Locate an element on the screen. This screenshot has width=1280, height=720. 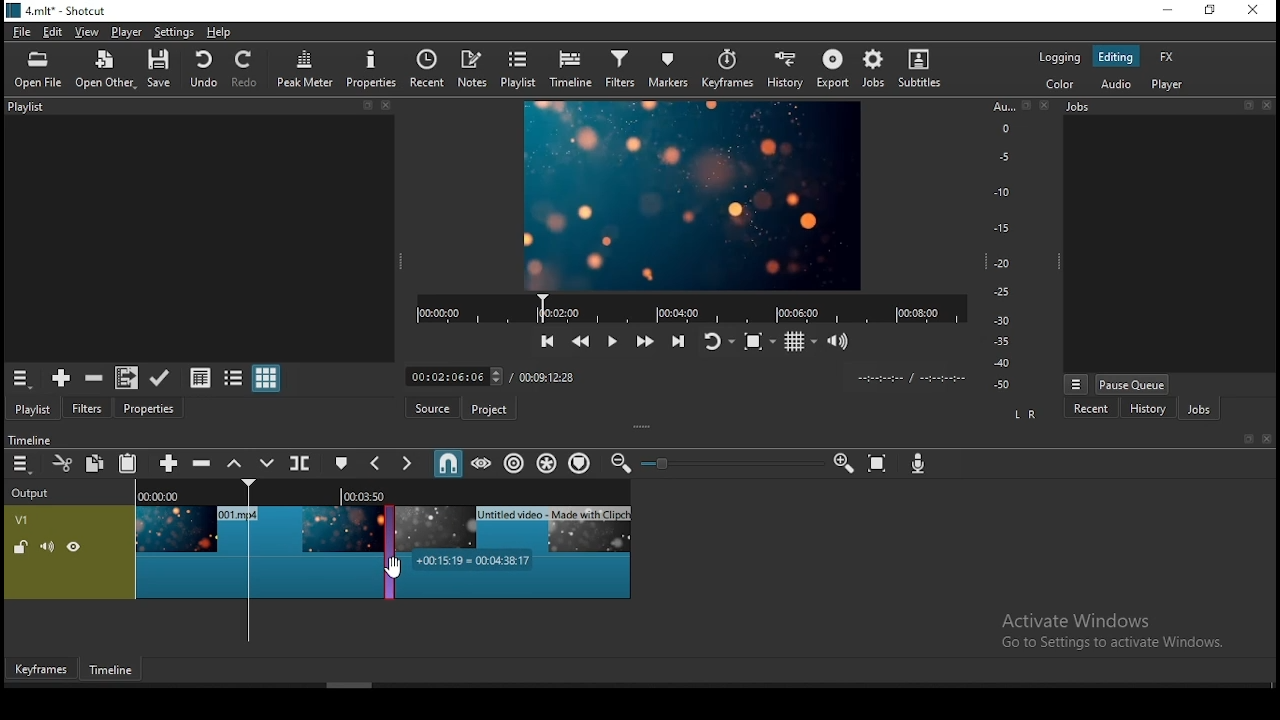
zoom in or zoom out slider is located at coordinates (725, 463).